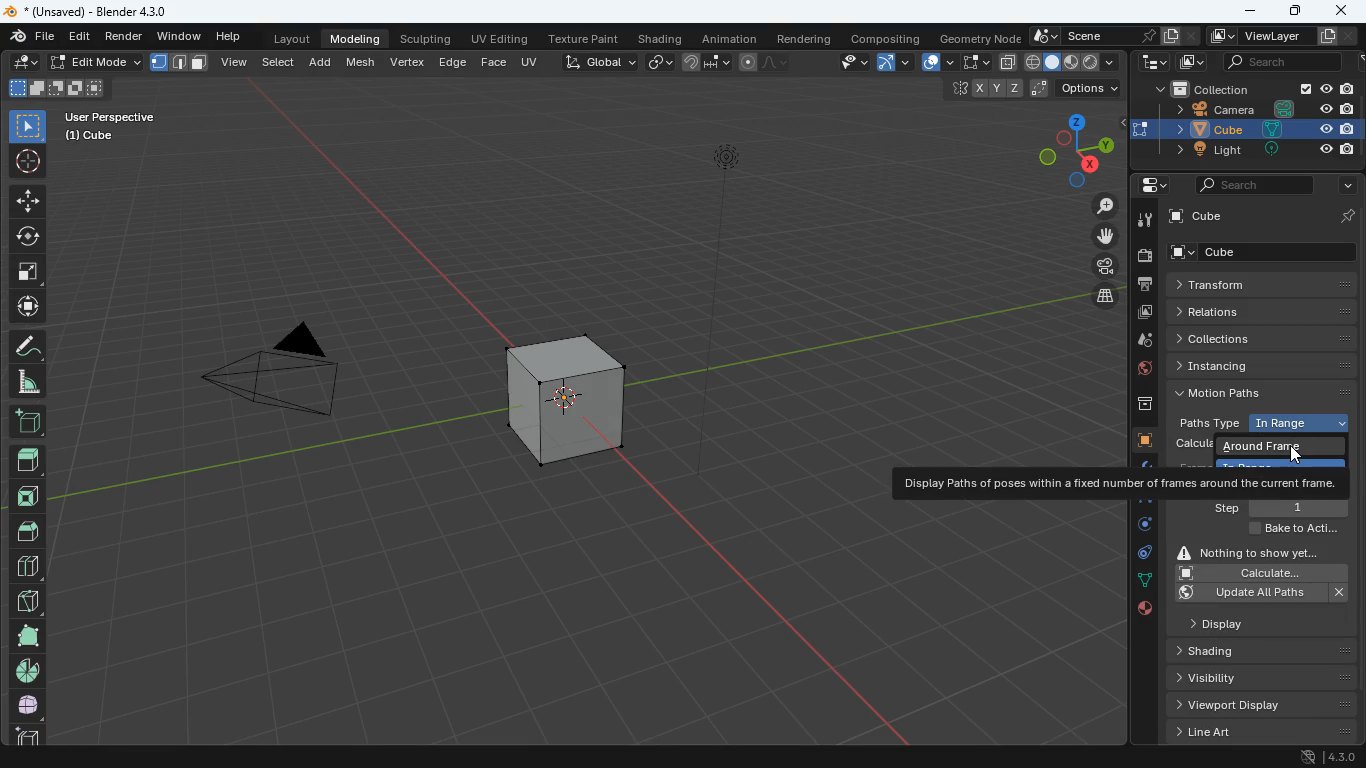 This screenshot has height=768, width=1366. I want to click on copy, so click(660, 60).